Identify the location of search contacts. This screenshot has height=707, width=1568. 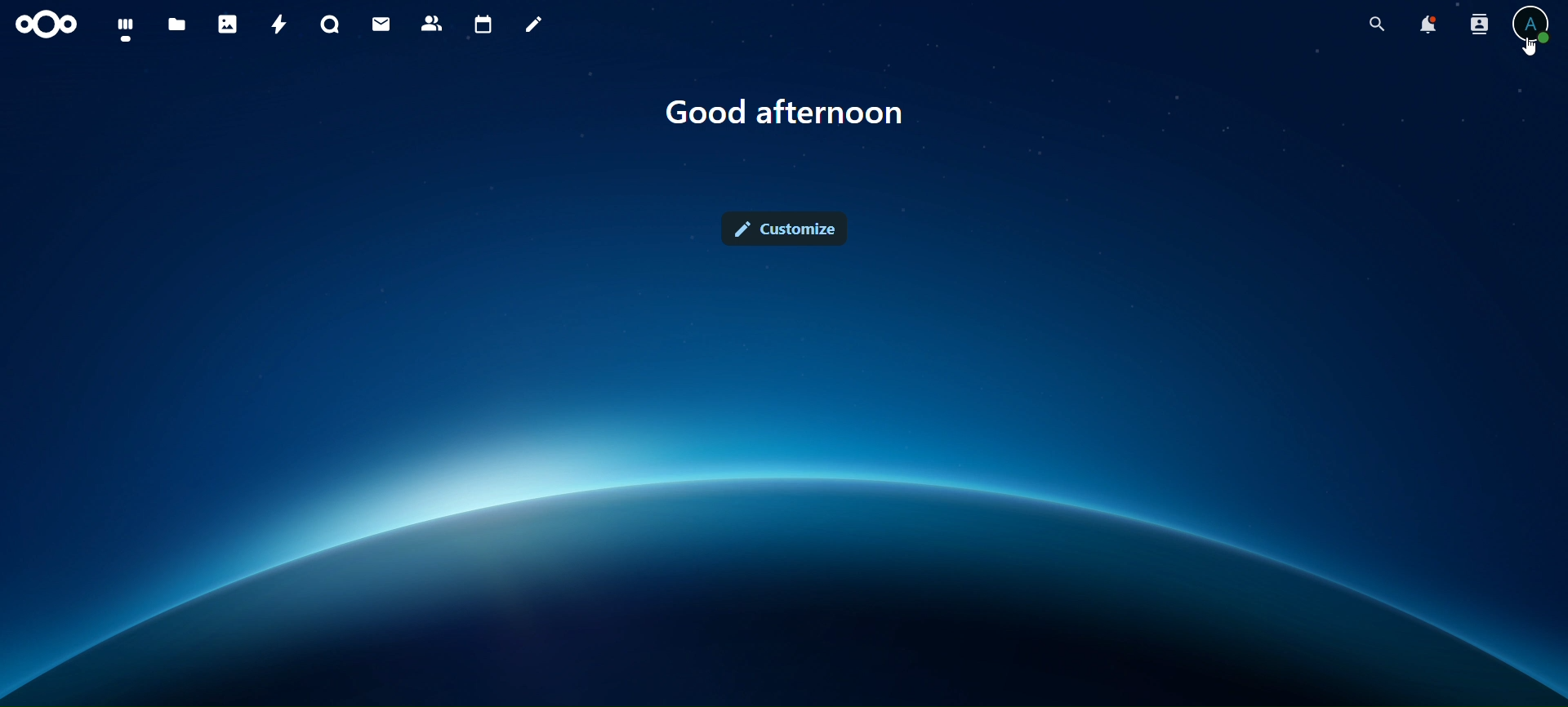
(1478, 25).